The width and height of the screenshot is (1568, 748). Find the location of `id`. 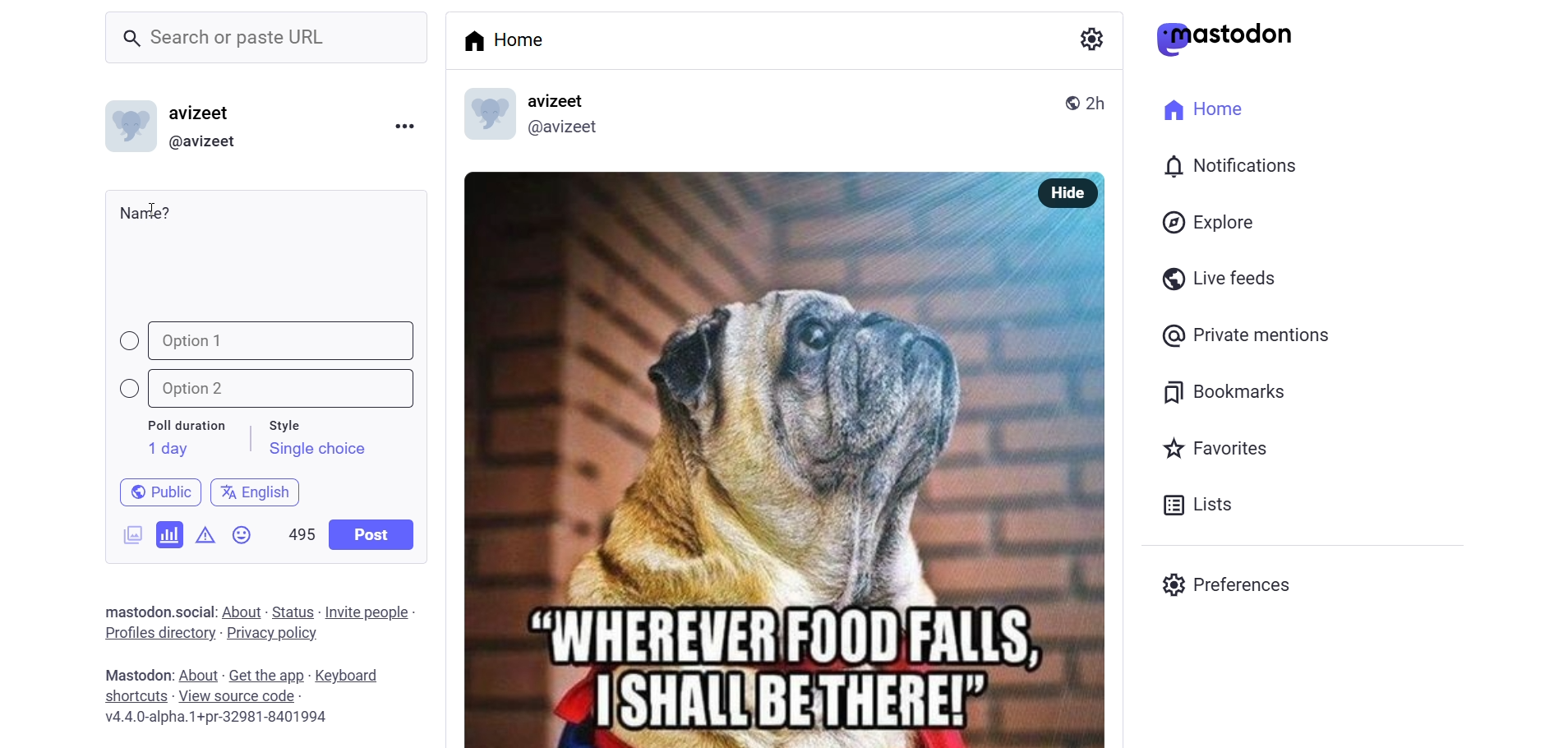

id is located at coordinates (126, 130).